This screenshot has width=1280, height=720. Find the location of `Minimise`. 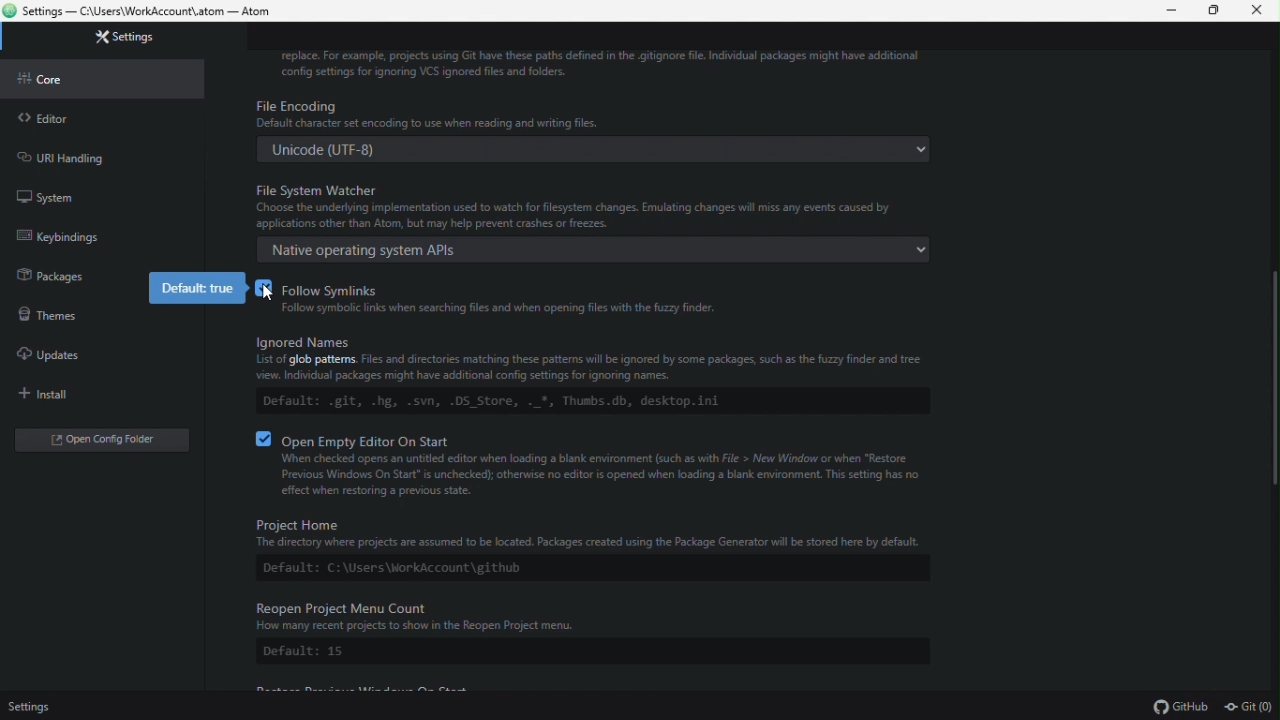

Minimise is located at coordinates (1175, 10).